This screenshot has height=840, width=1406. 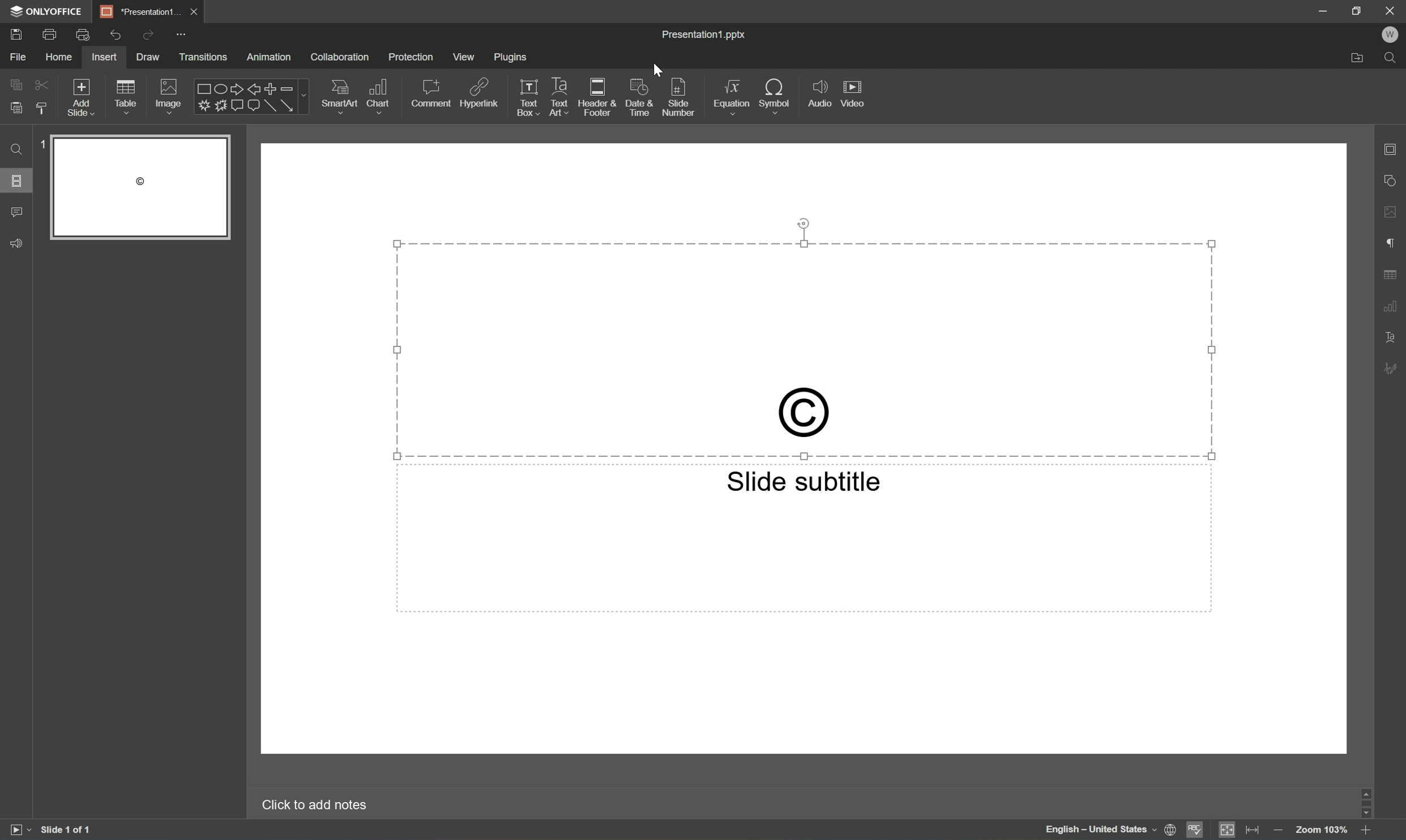 I want to click on Fit to width, so click(x=1254, y=829).